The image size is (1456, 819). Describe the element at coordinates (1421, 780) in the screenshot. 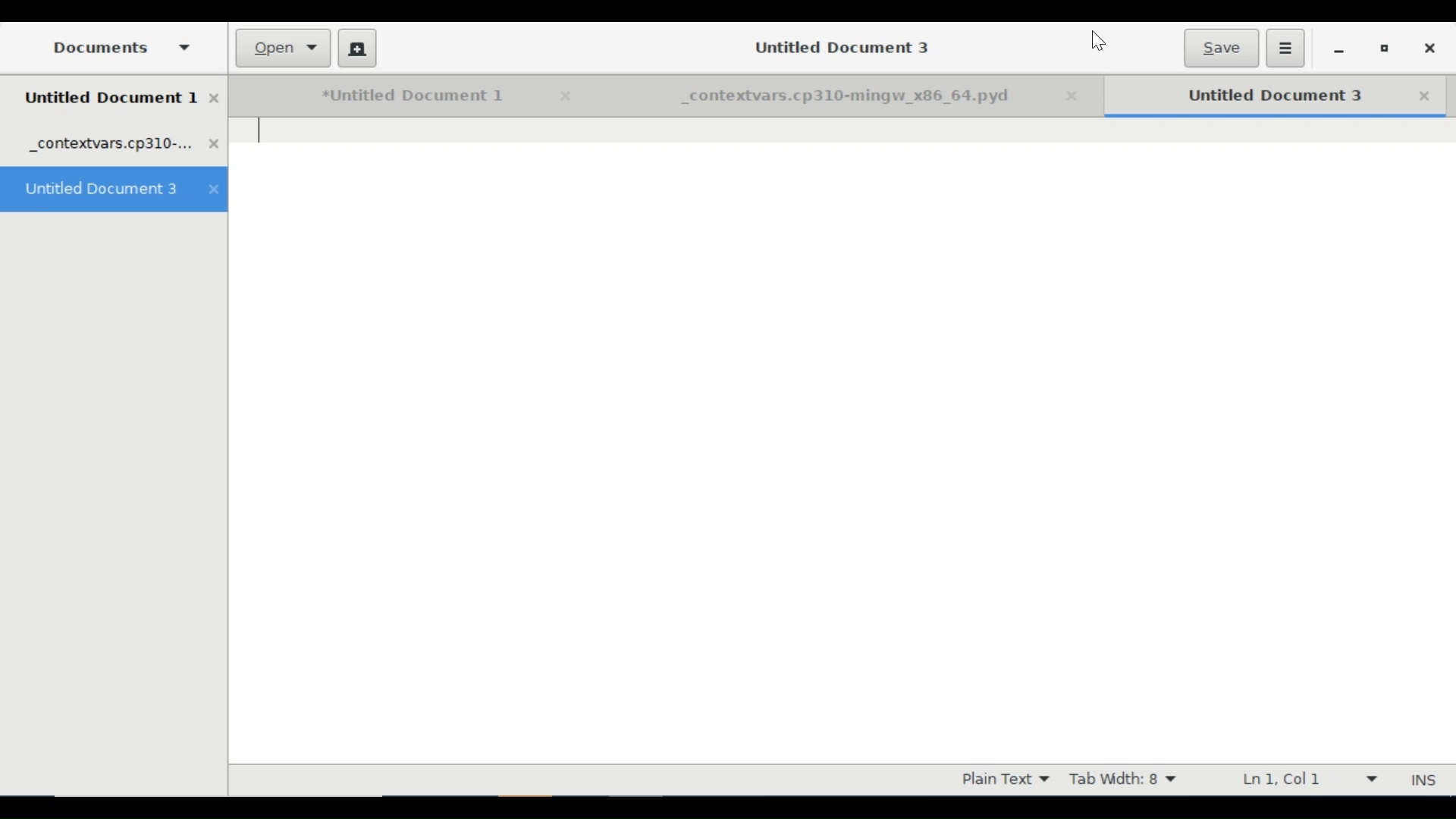

I see `Insert` at that location.